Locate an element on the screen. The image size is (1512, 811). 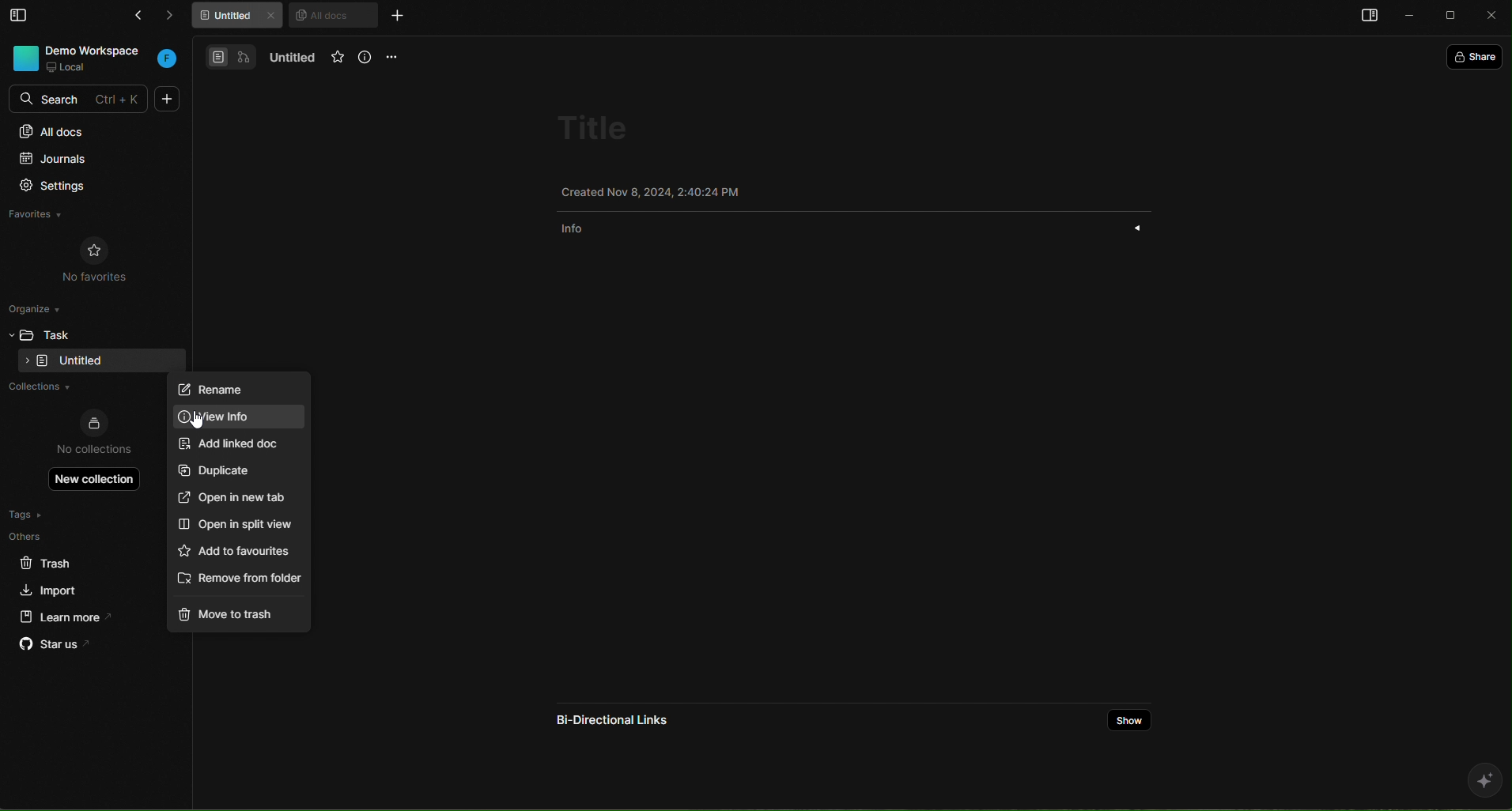
show is located at coordinates (1130, 719).